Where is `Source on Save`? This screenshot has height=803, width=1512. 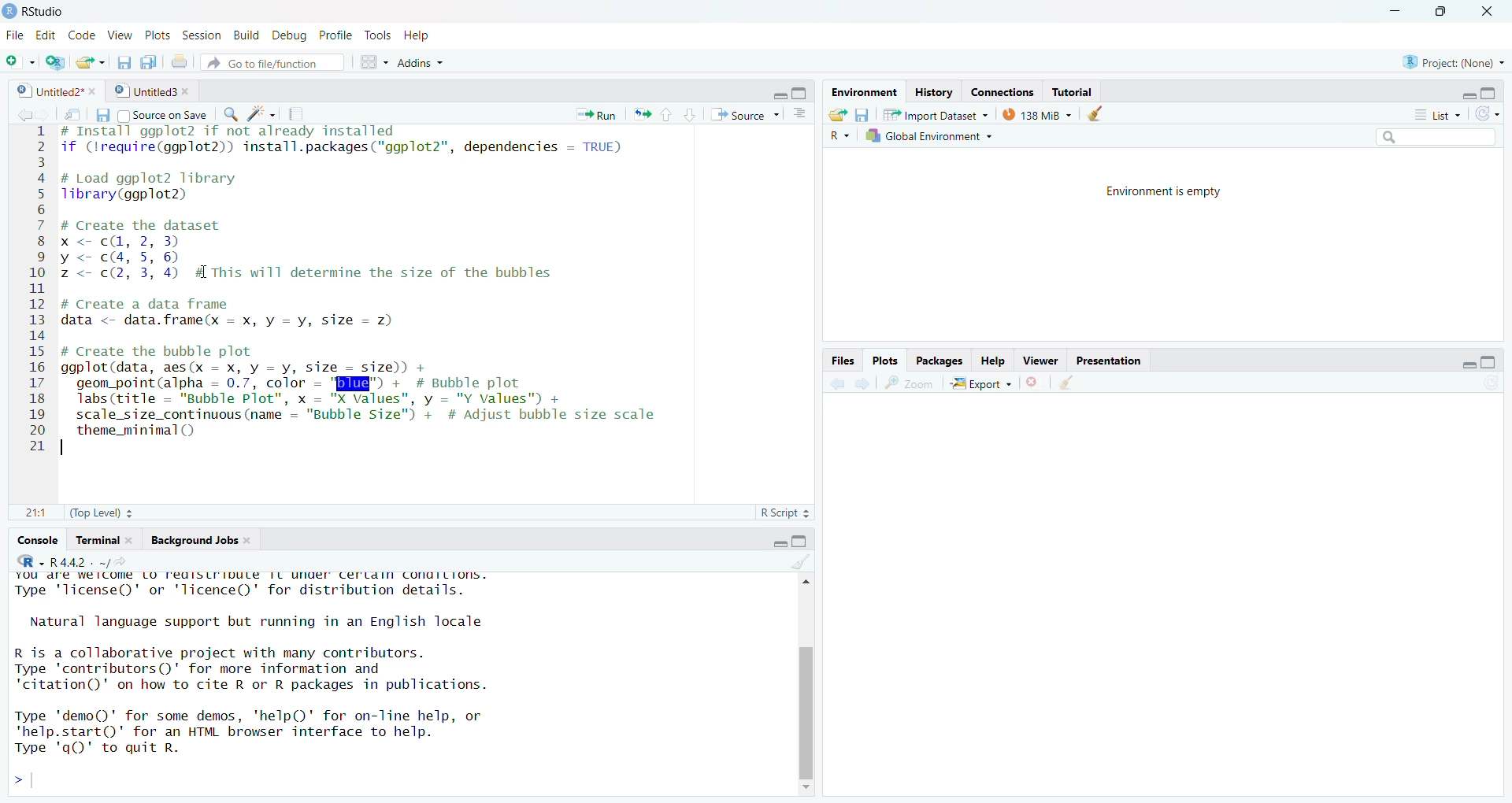 Source on Save is located at coordinates (165, 115).